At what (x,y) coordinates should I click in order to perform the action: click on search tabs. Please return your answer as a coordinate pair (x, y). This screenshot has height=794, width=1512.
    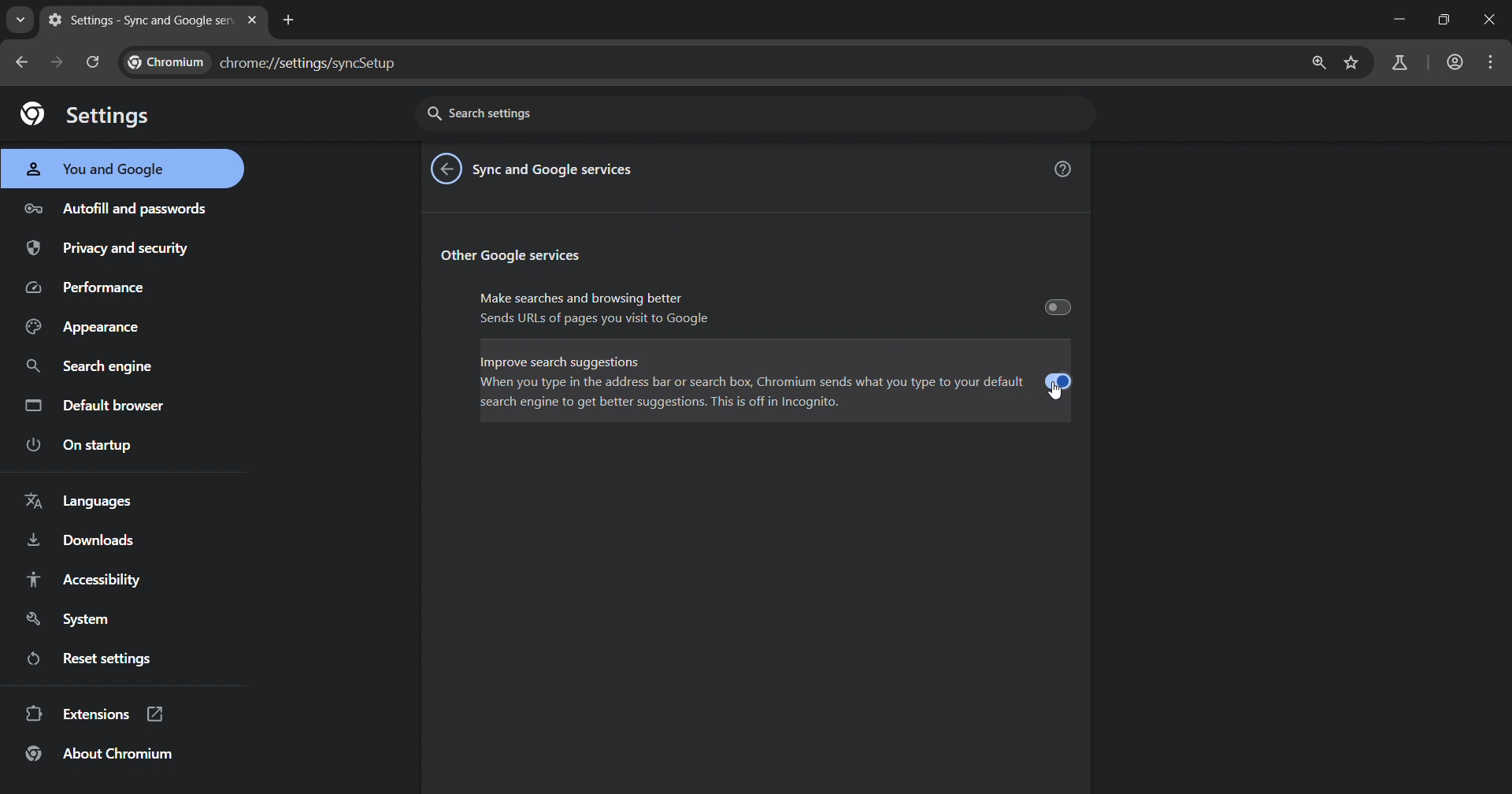
    Looking at the image, I should click on (19, 20).